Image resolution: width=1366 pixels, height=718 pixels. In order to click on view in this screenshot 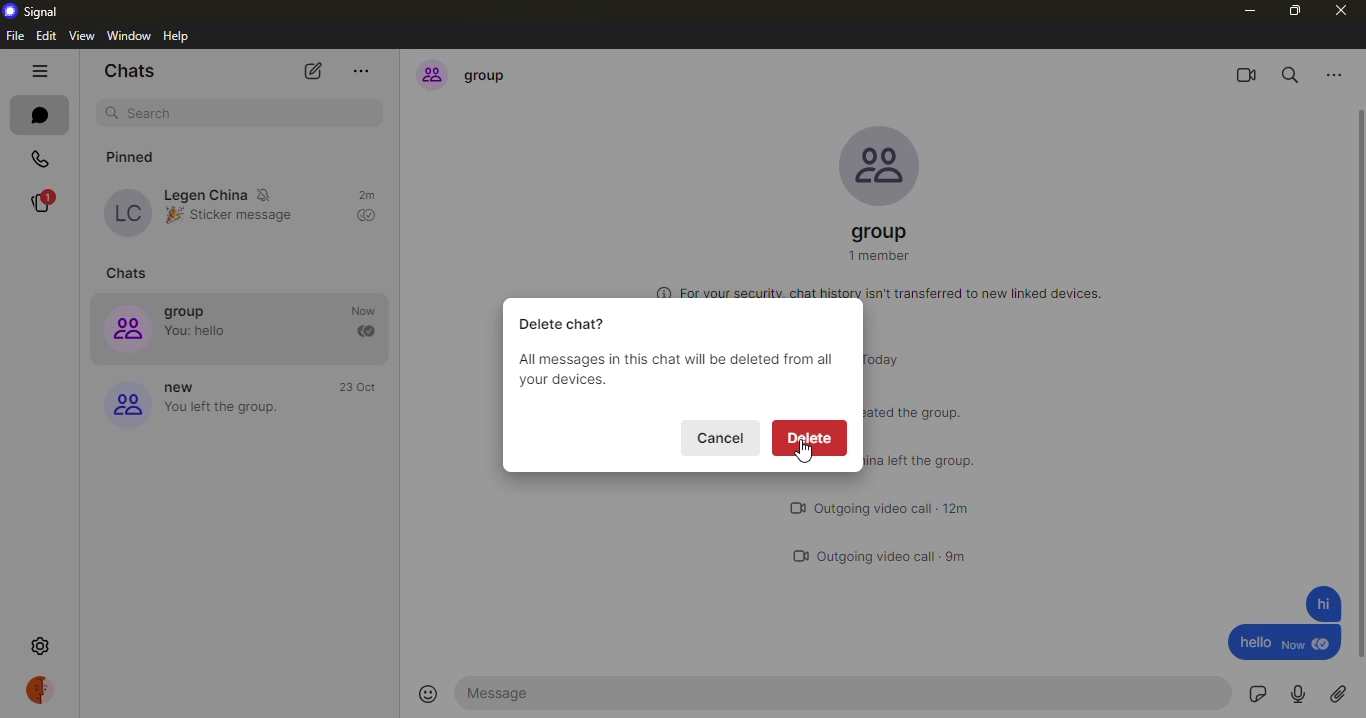, I will do `click(83, 35)`.